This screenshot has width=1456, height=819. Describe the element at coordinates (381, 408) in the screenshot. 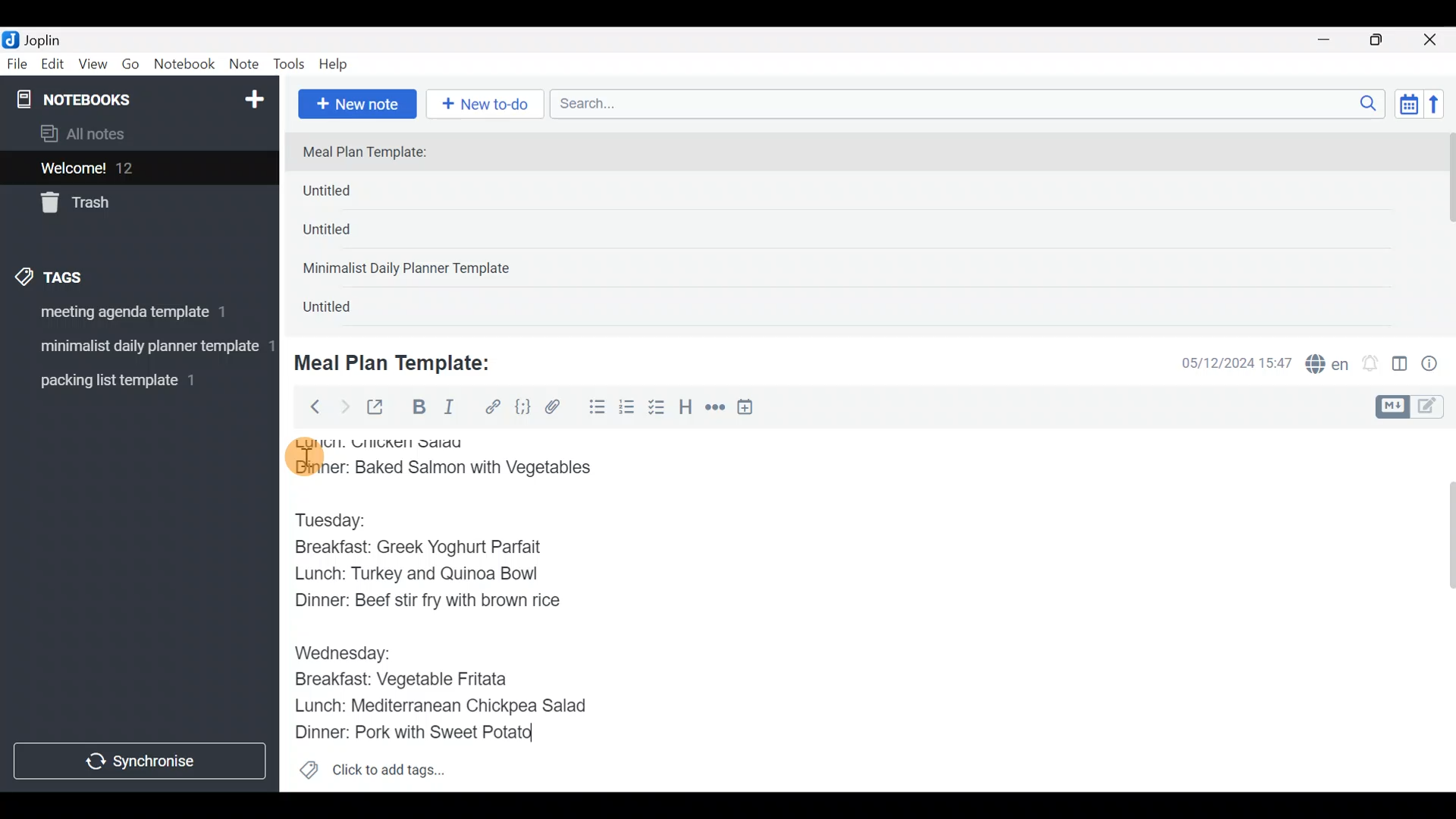

I see `Toggle external editing` at that location.